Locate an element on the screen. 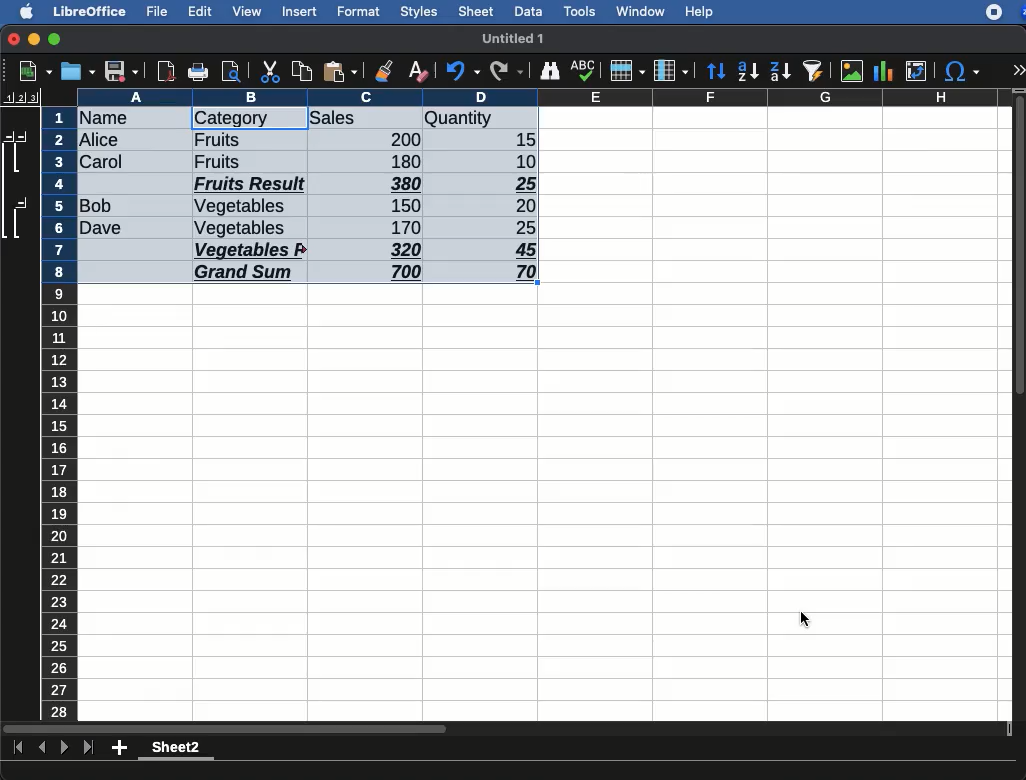 The image size is (1026, 780). sheet 2 is located at coordinates (176, 750).